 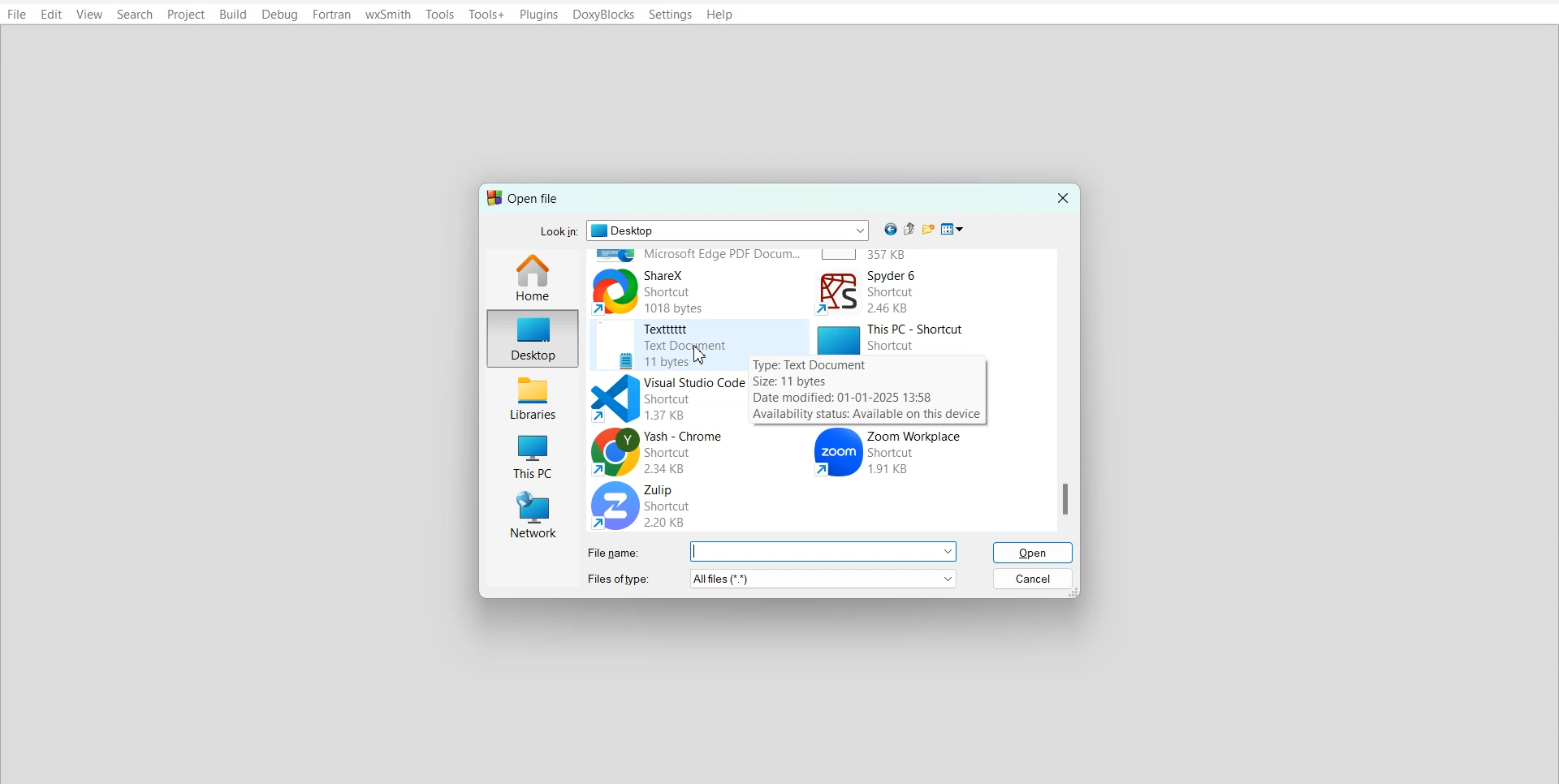 What do you see at coordinates (704, 230) in the screenshot?
I see `Look in` at bounding box center [704, 230].